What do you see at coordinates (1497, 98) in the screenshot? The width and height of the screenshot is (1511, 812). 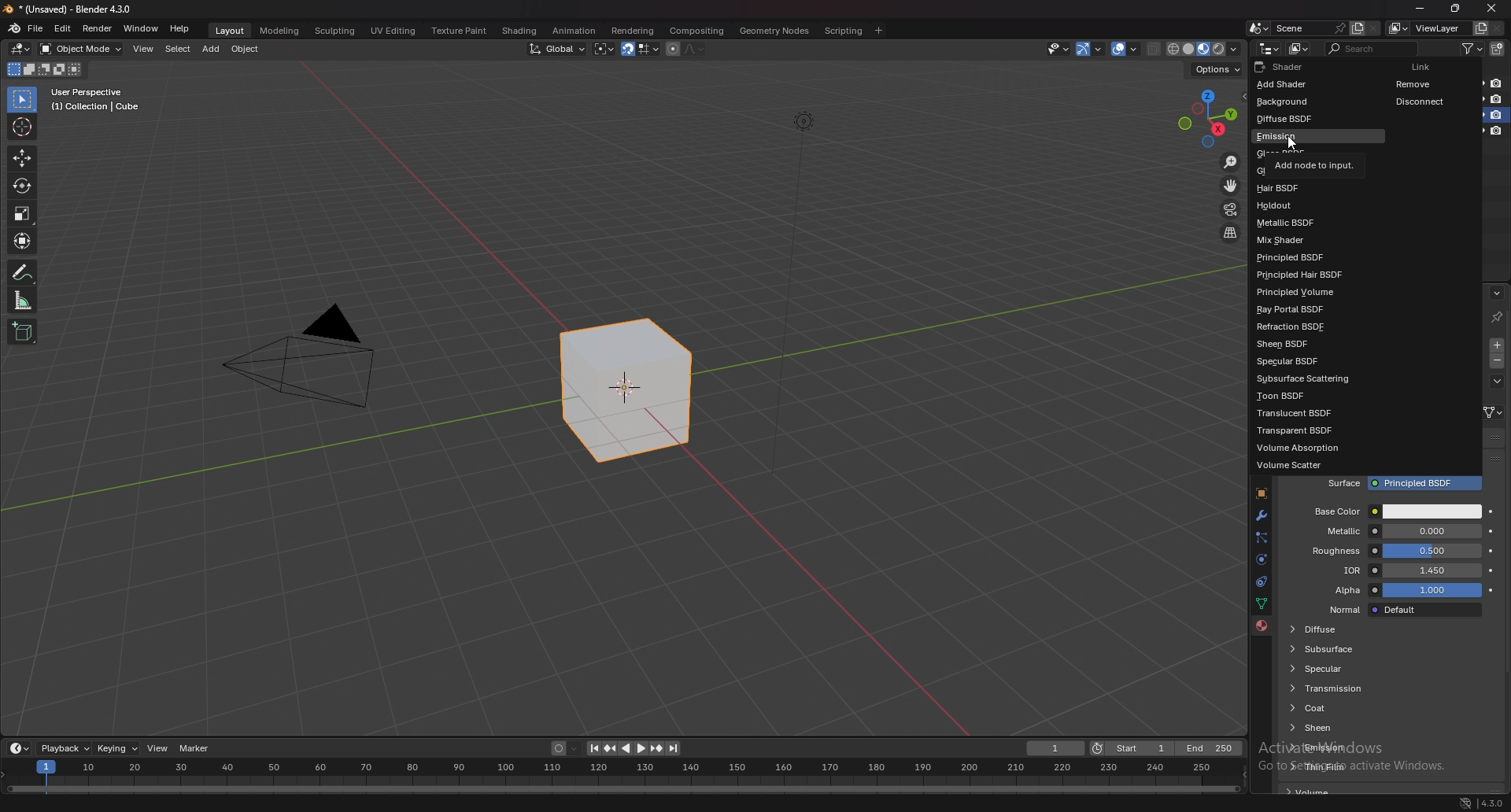 I see `disable in renders` at bounding box center [1497, 98].